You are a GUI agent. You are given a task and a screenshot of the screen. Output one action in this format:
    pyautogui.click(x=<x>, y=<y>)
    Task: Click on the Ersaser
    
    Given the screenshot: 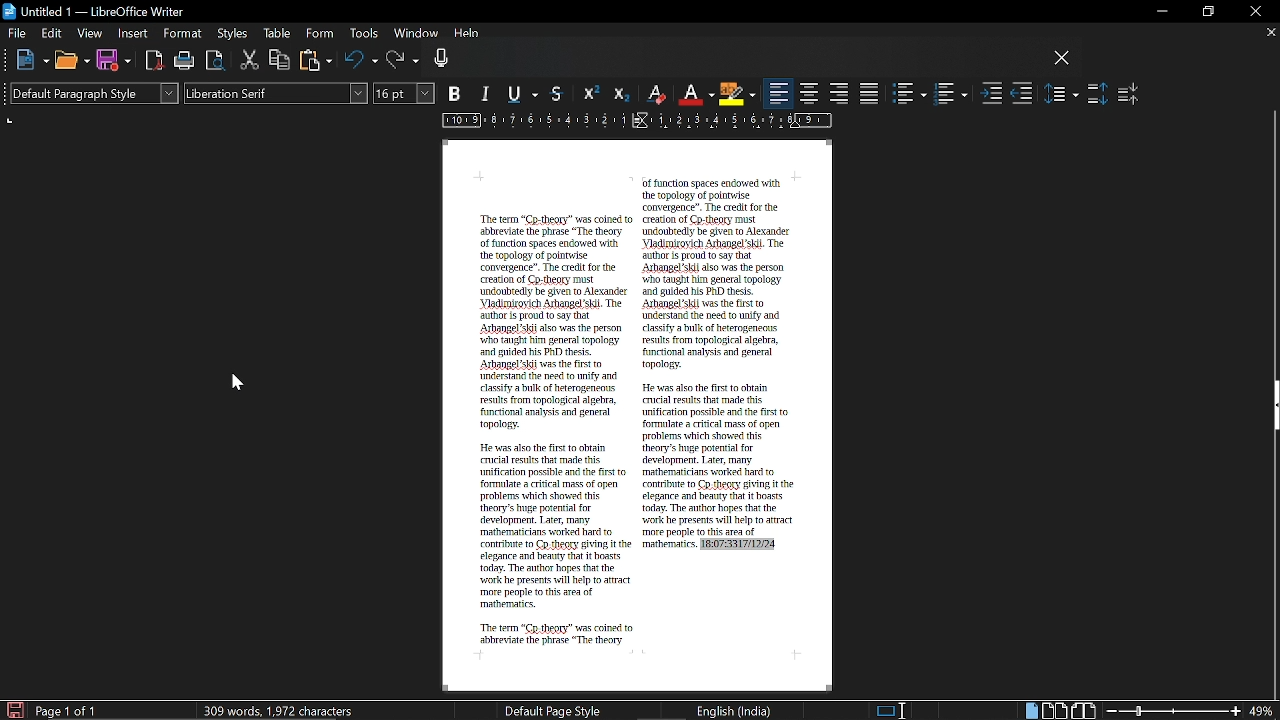 What is the action you would take?
    pyautogui.click(x=657, y=95)
    